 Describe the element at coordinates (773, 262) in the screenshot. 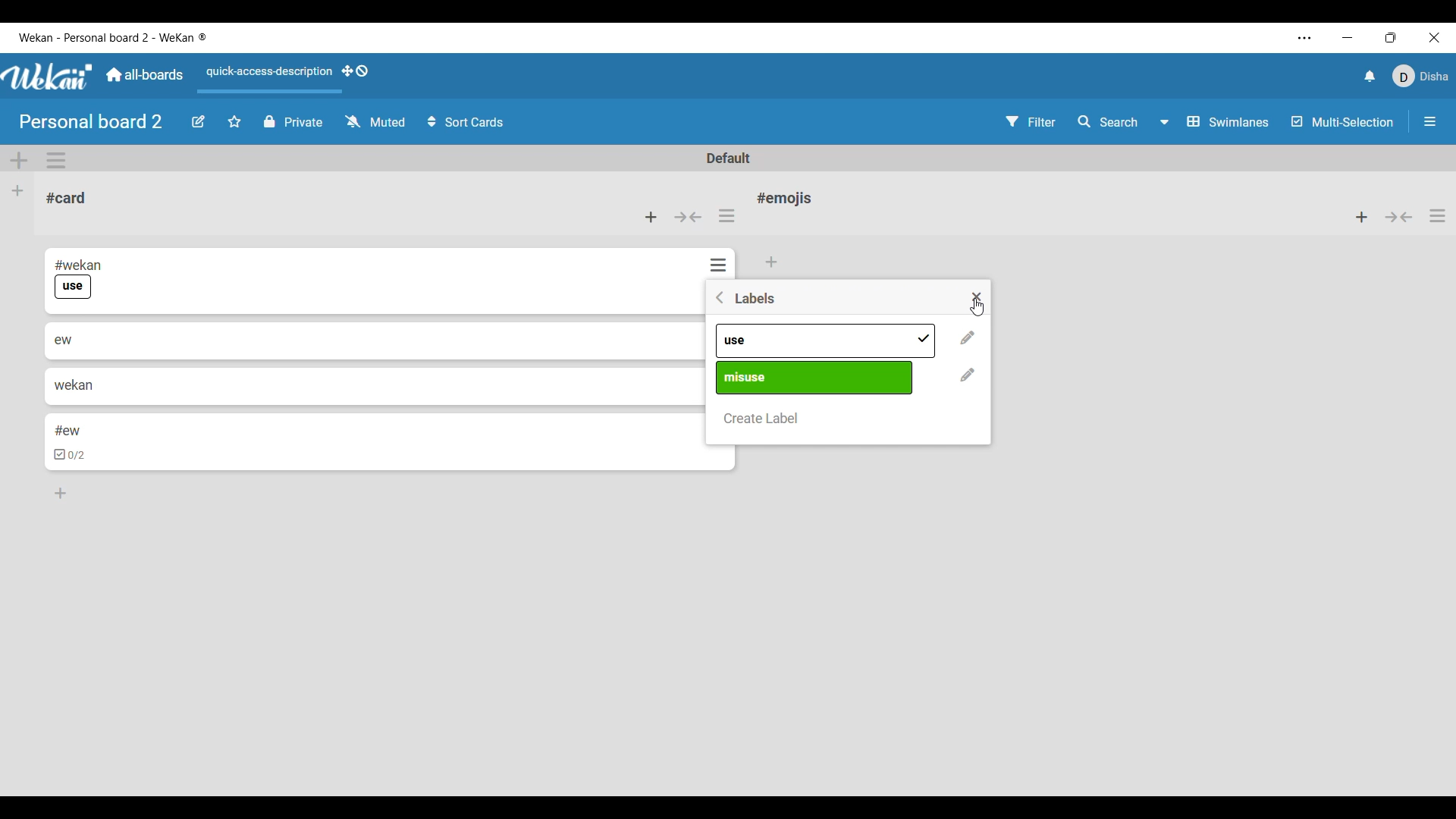

I see `Add card to bottom of list` at that location.